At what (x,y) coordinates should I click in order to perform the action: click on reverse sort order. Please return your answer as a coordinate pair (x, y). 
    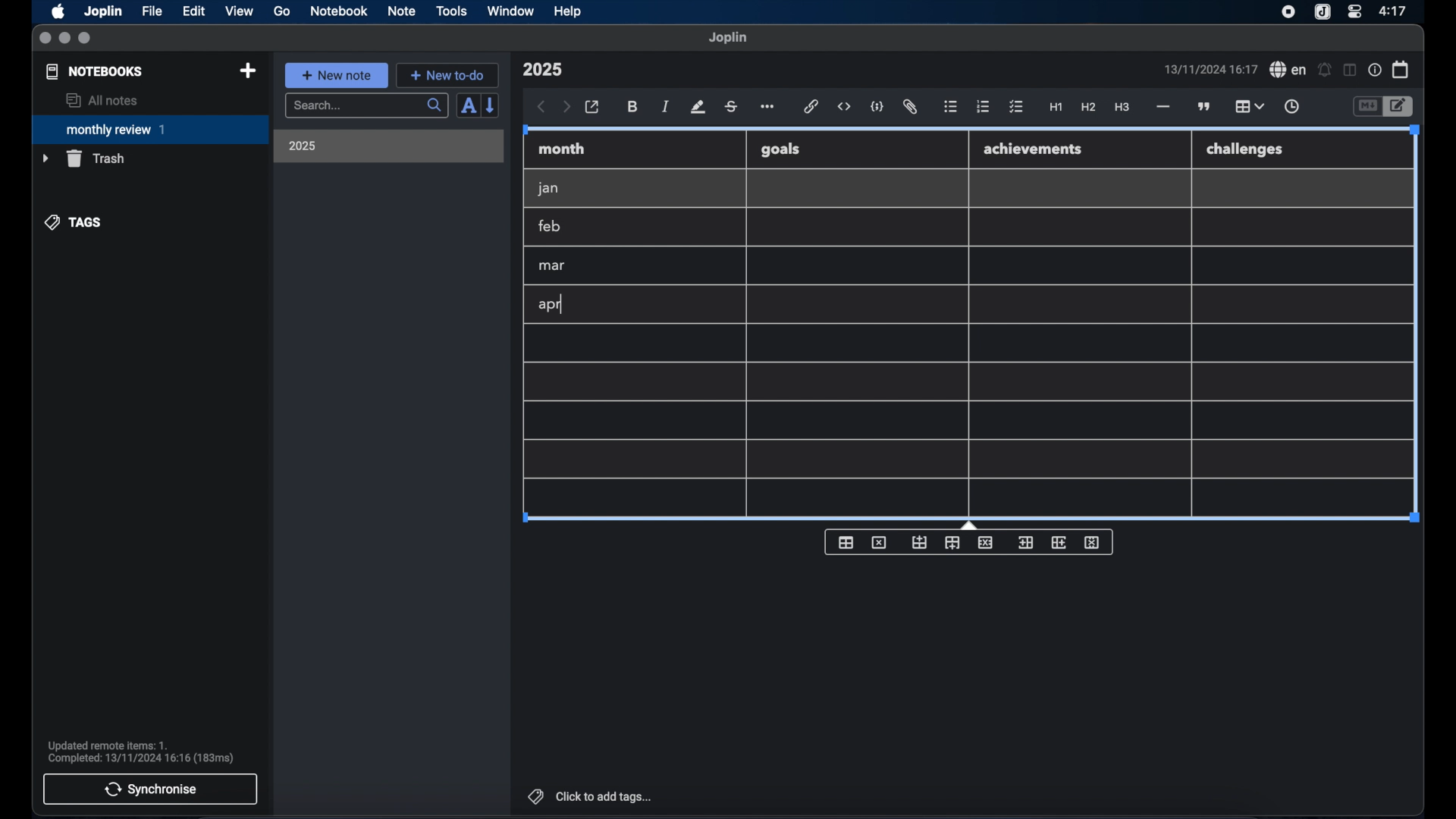
    Looking at the image, I should click on (491, 105).